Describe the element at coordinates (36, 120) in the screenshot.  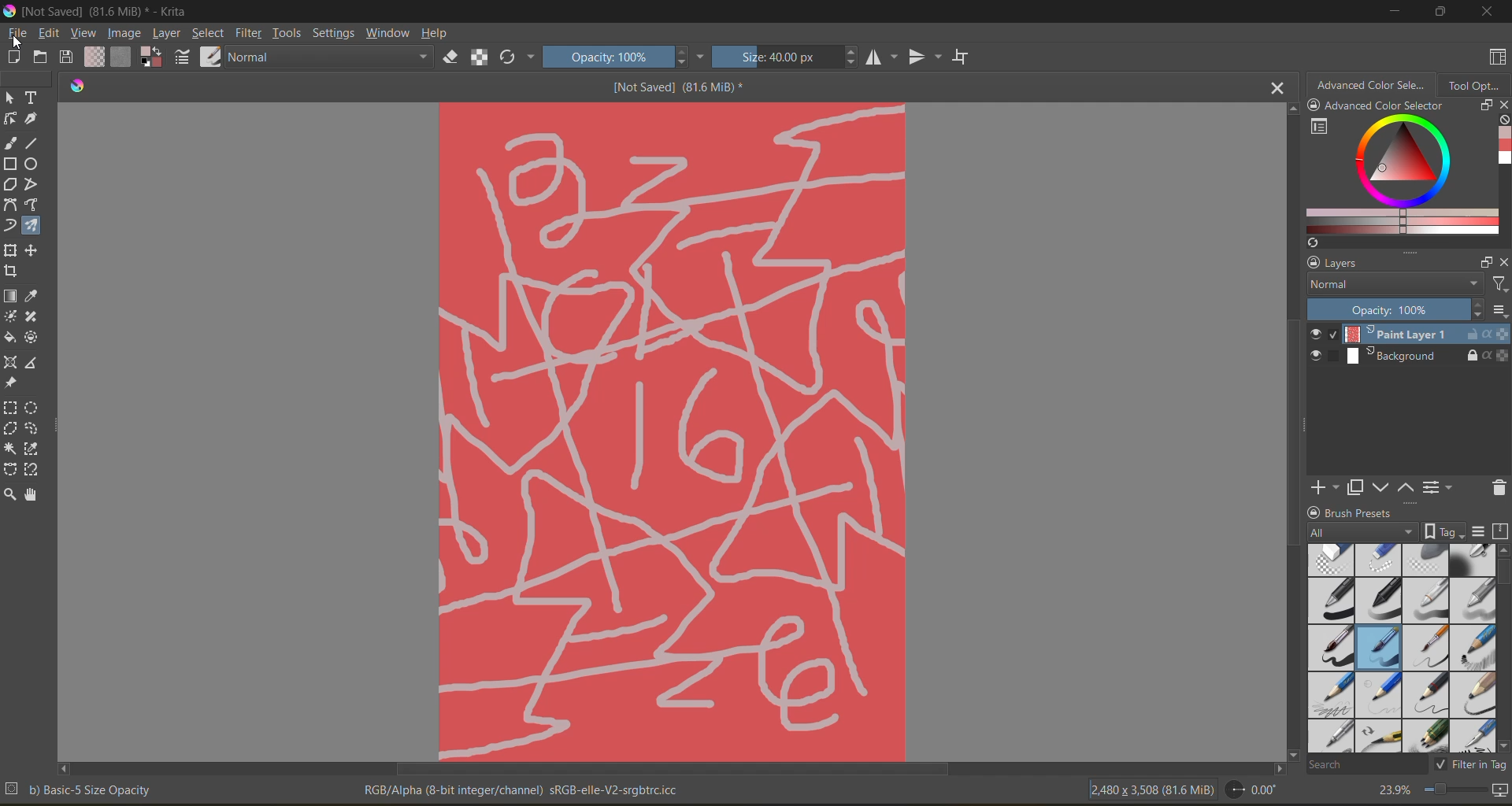
I see `tool` at that location.